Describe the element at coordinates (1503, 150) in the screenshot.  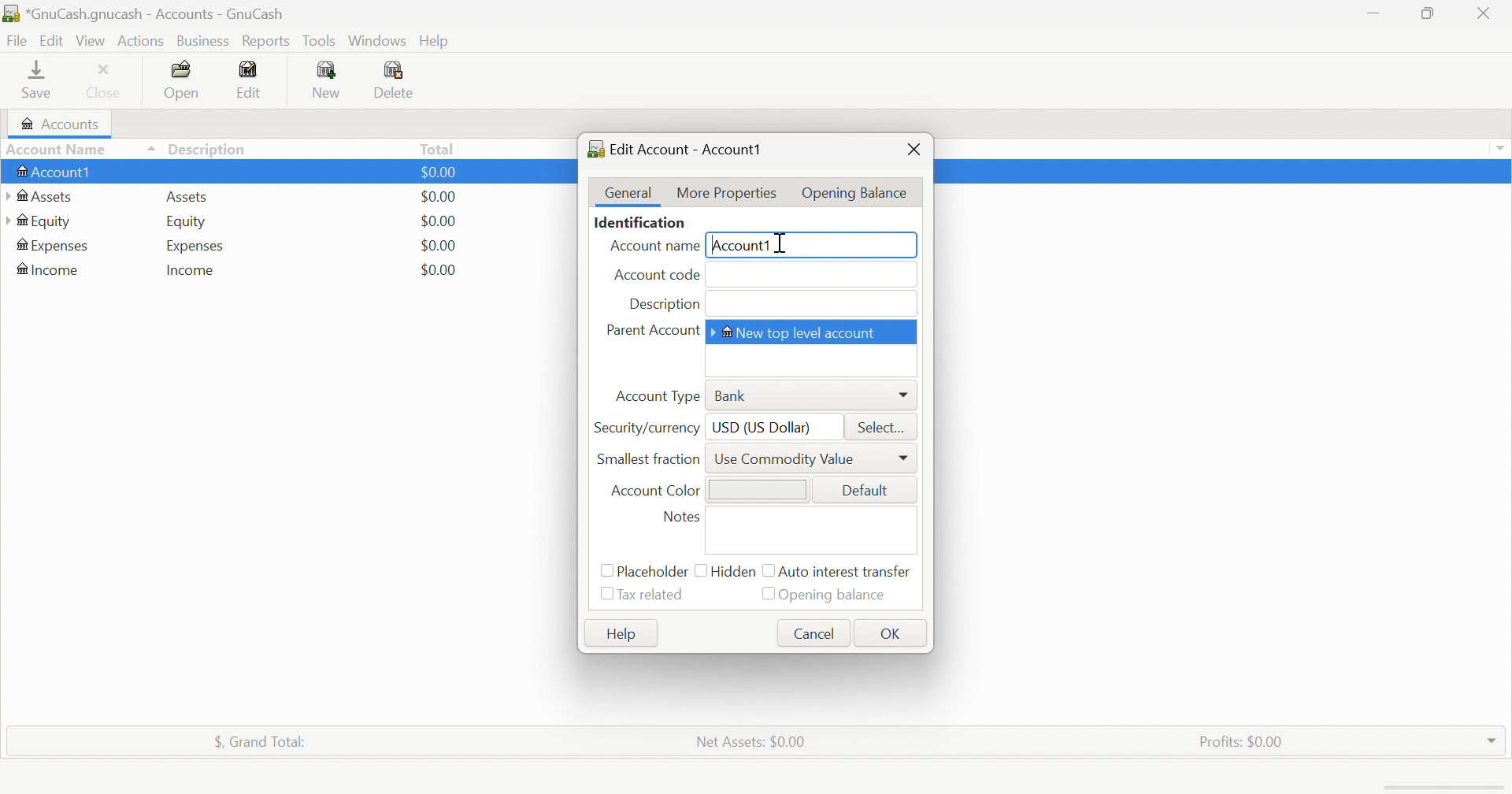
I see `Drop Down` at that location.